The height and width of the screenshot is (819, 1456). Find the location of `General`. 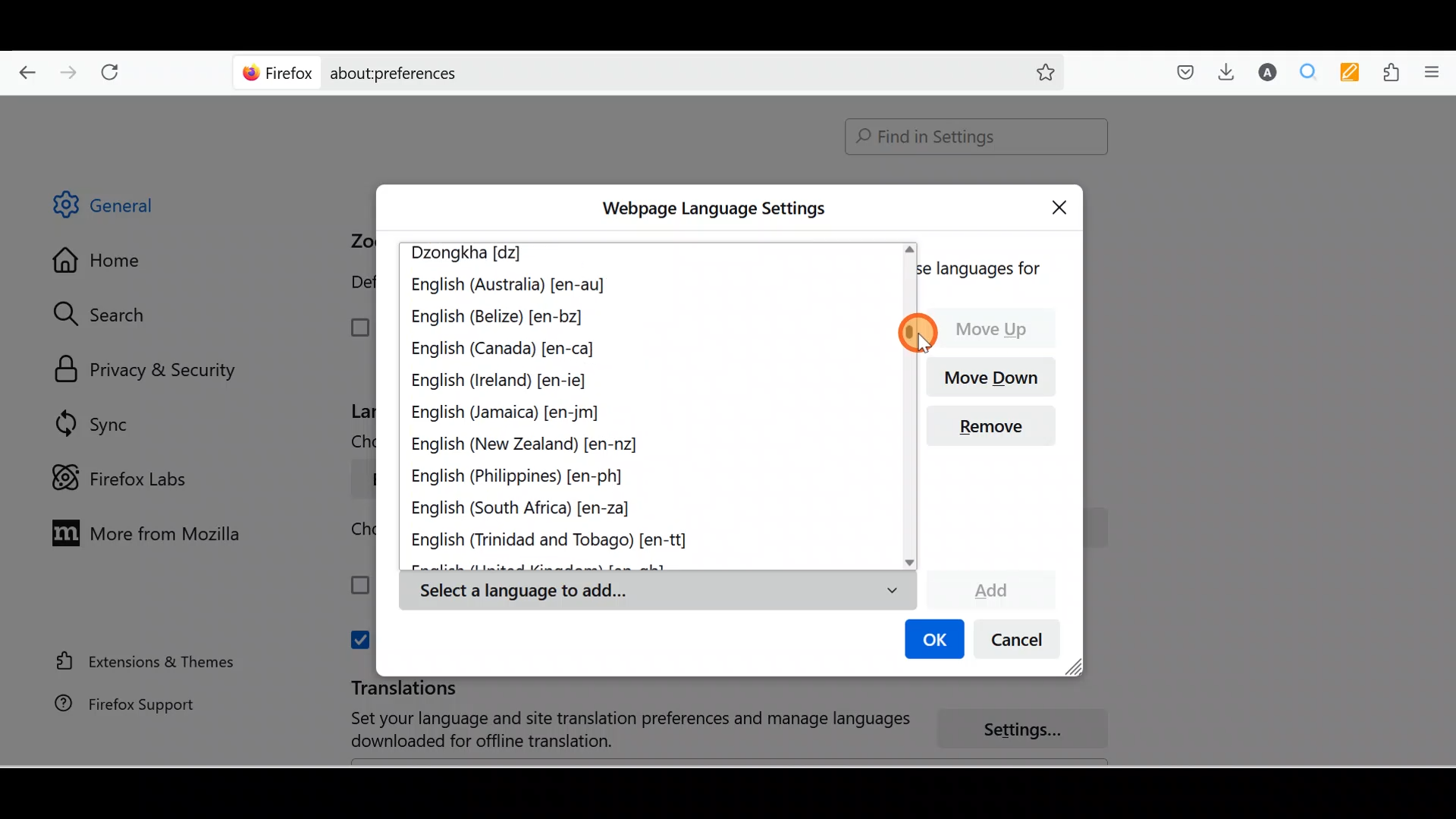

General is located at coordinates (117, 208).